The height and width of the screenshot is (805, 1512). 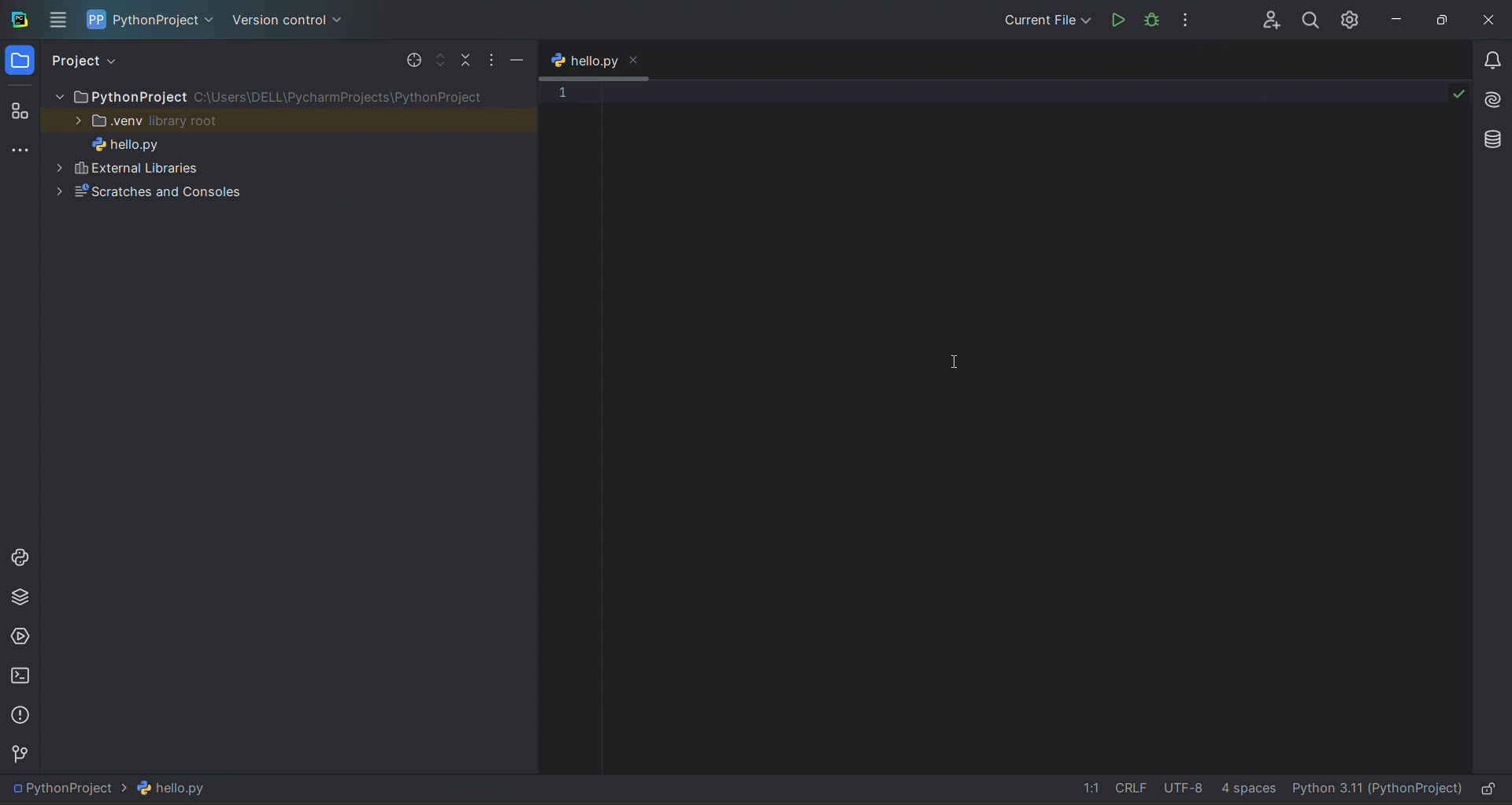 I want to click on interpreter, so click(x=1375, y=791).